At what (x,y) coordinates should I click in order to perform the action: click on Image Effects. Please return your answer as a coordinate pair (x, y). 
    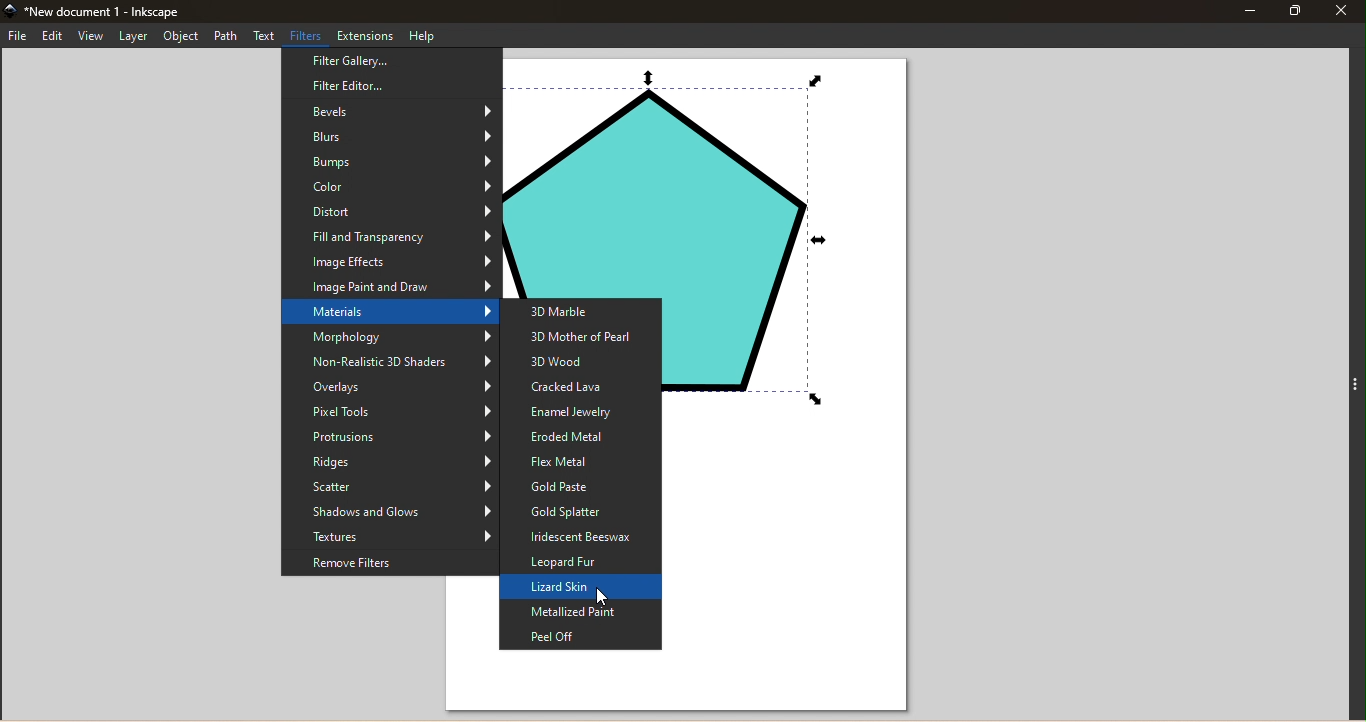
    Looking at the image, I should click on (390, 264).